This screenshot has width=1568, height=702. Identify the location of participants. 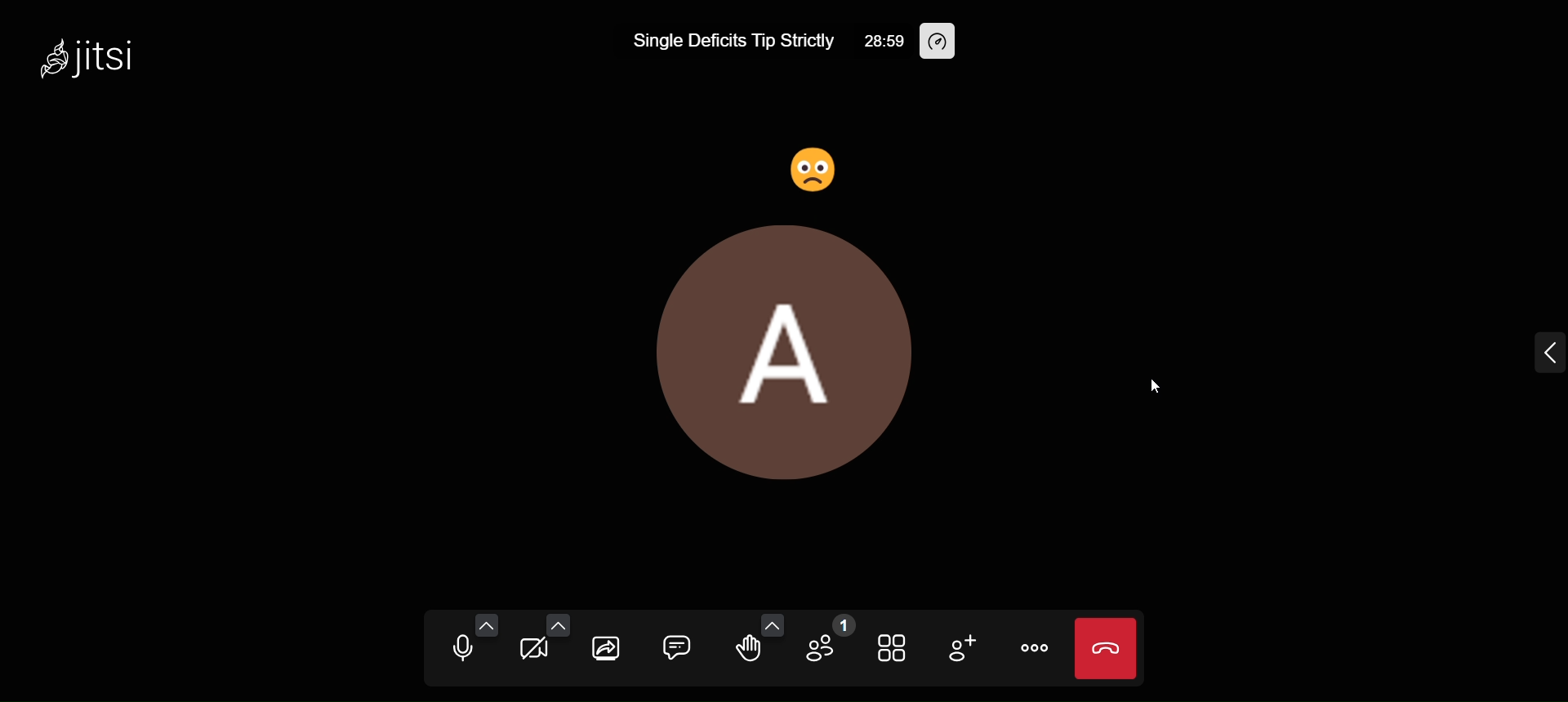
(832, 642).